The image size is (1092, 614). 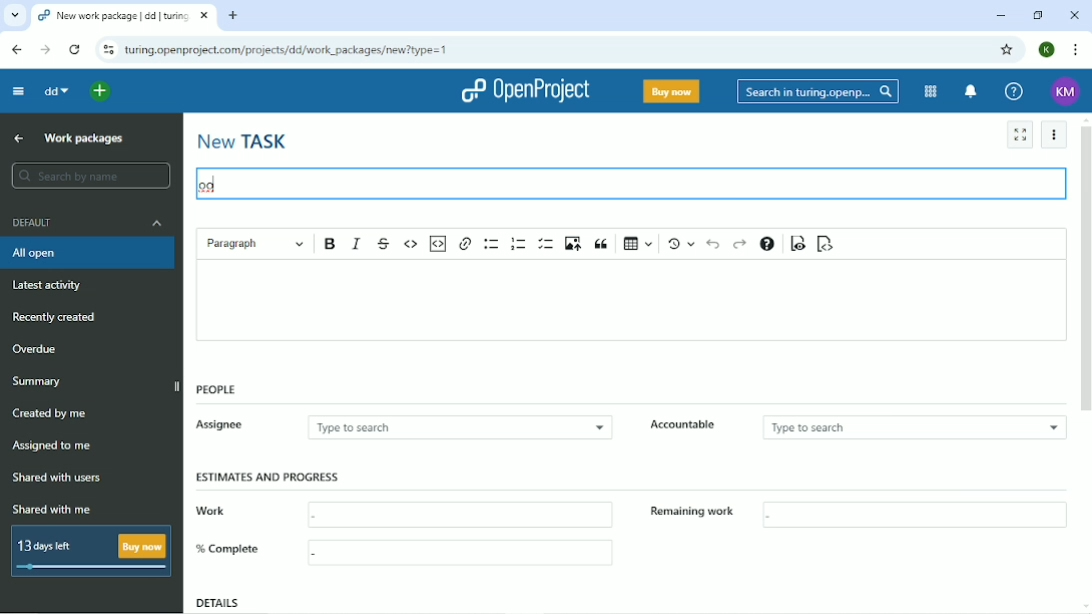 I want to click on Estimates and progress, so click(x=269, y=475).